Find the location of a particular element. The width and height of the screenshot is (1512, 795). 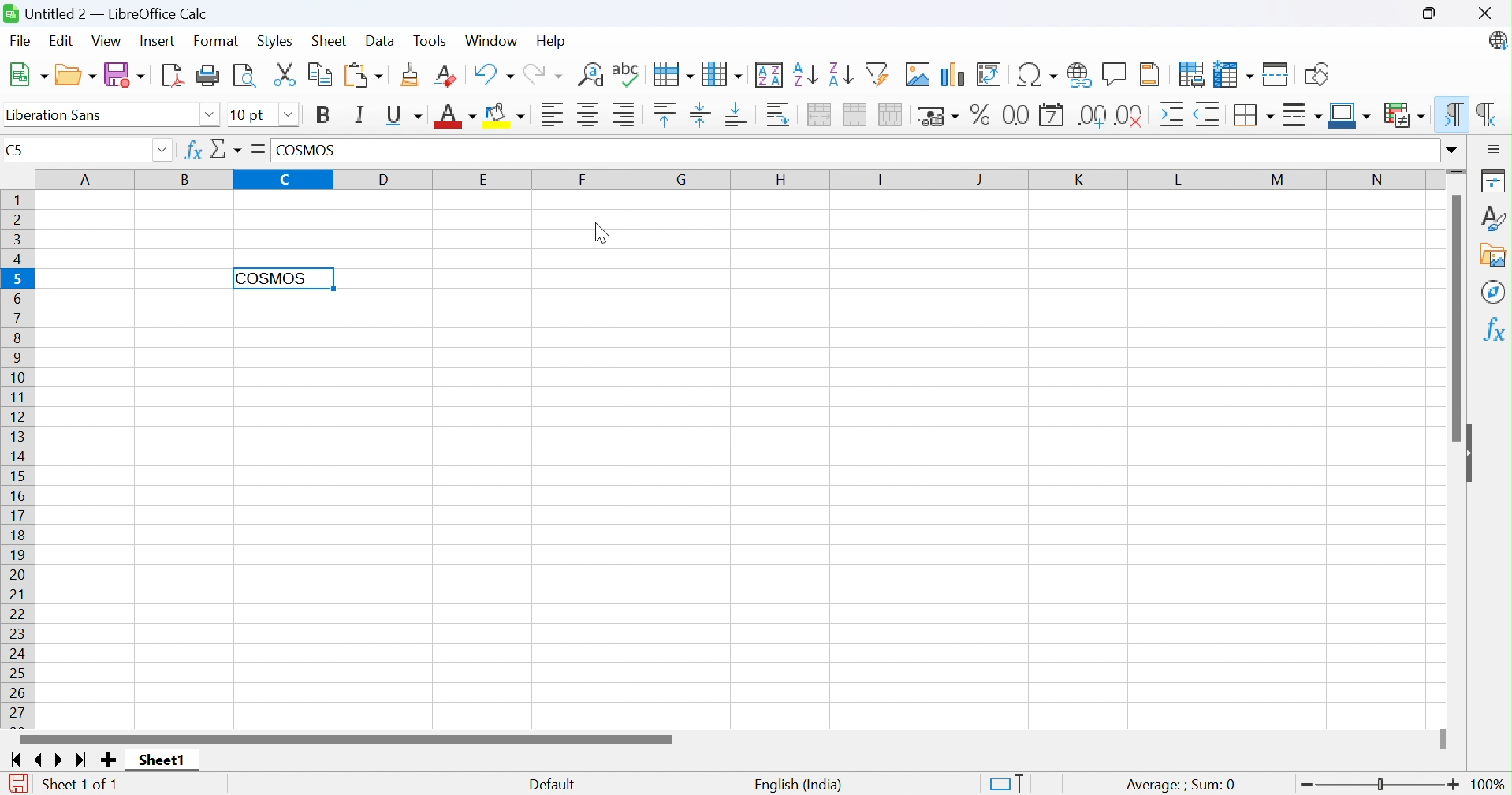

Tools is located at coordinates (430, 40).